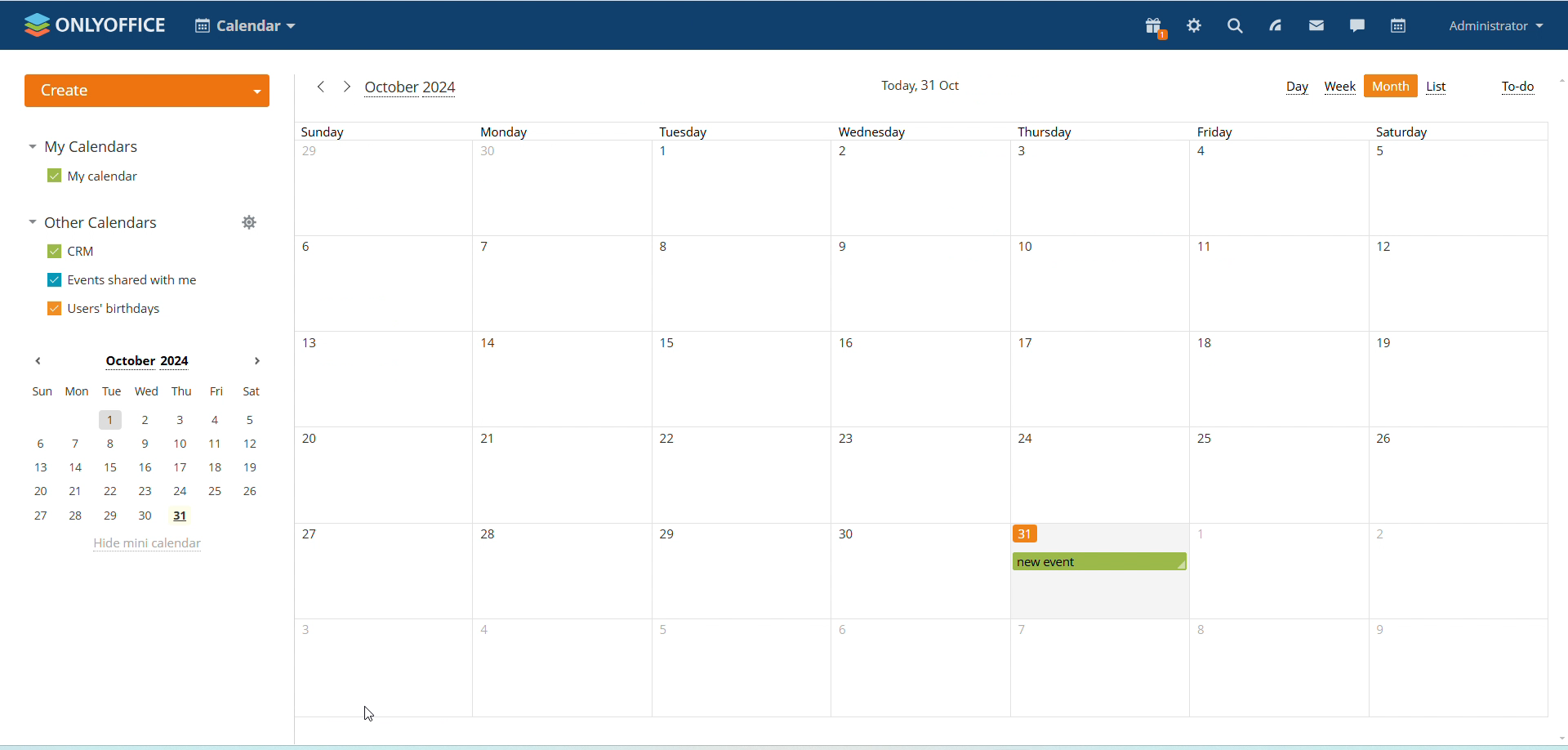 The height and width of the screenshot is (750, 1568). I want to click on current month, so click(410, 89).